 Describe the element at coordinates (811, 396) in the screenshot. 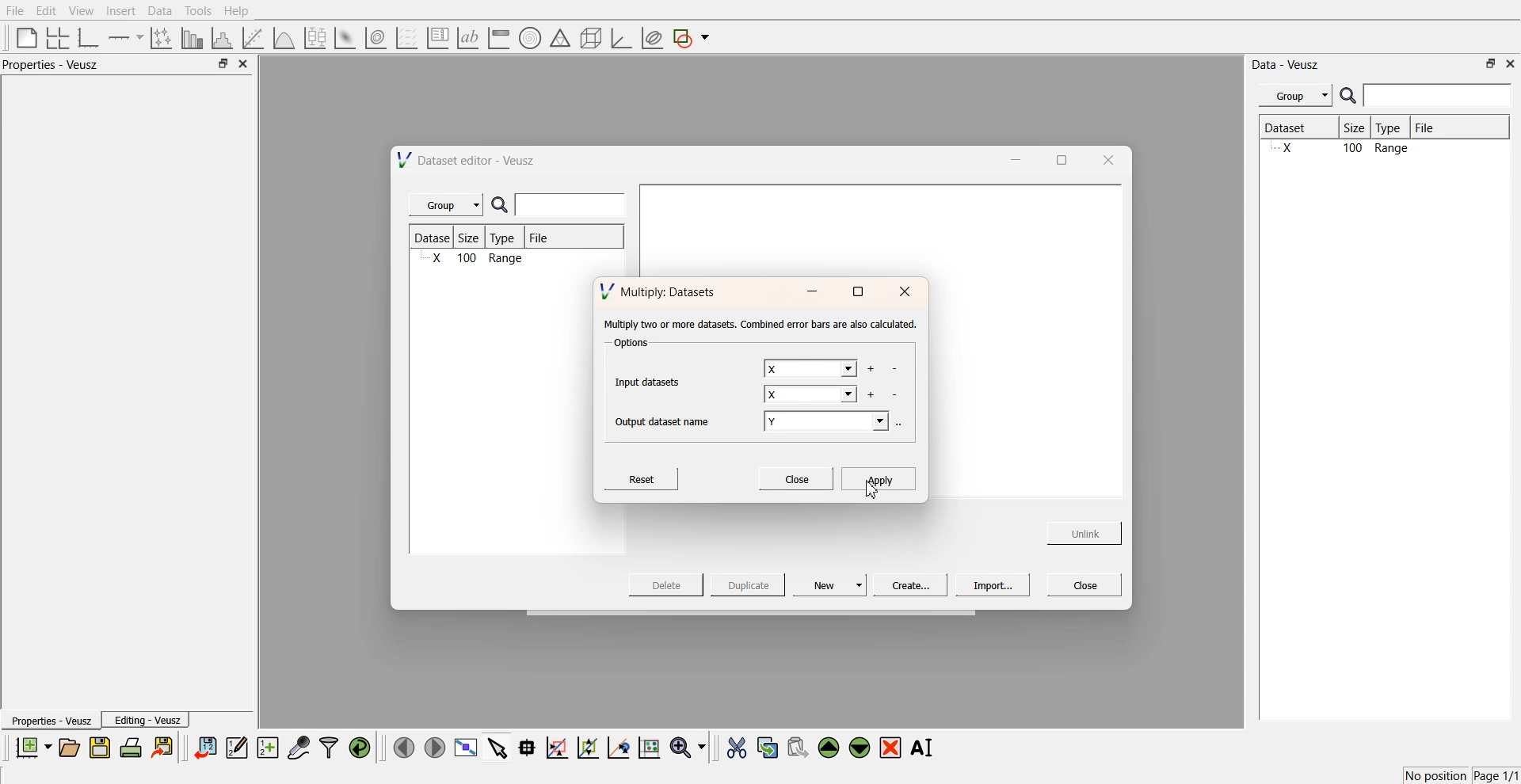

I see `X` at that location.